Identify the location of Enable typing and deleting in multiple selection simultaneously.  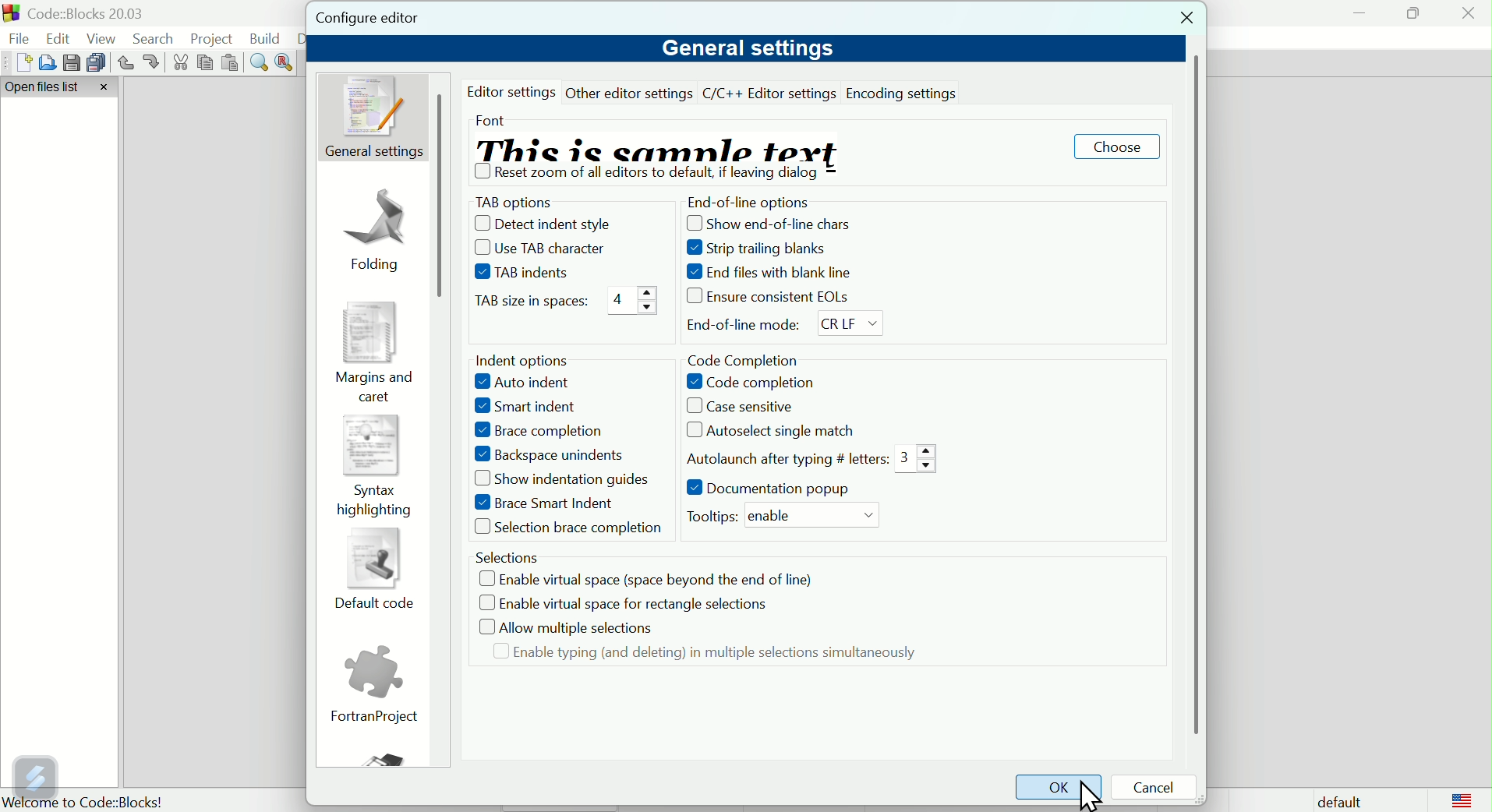
(699, 657).